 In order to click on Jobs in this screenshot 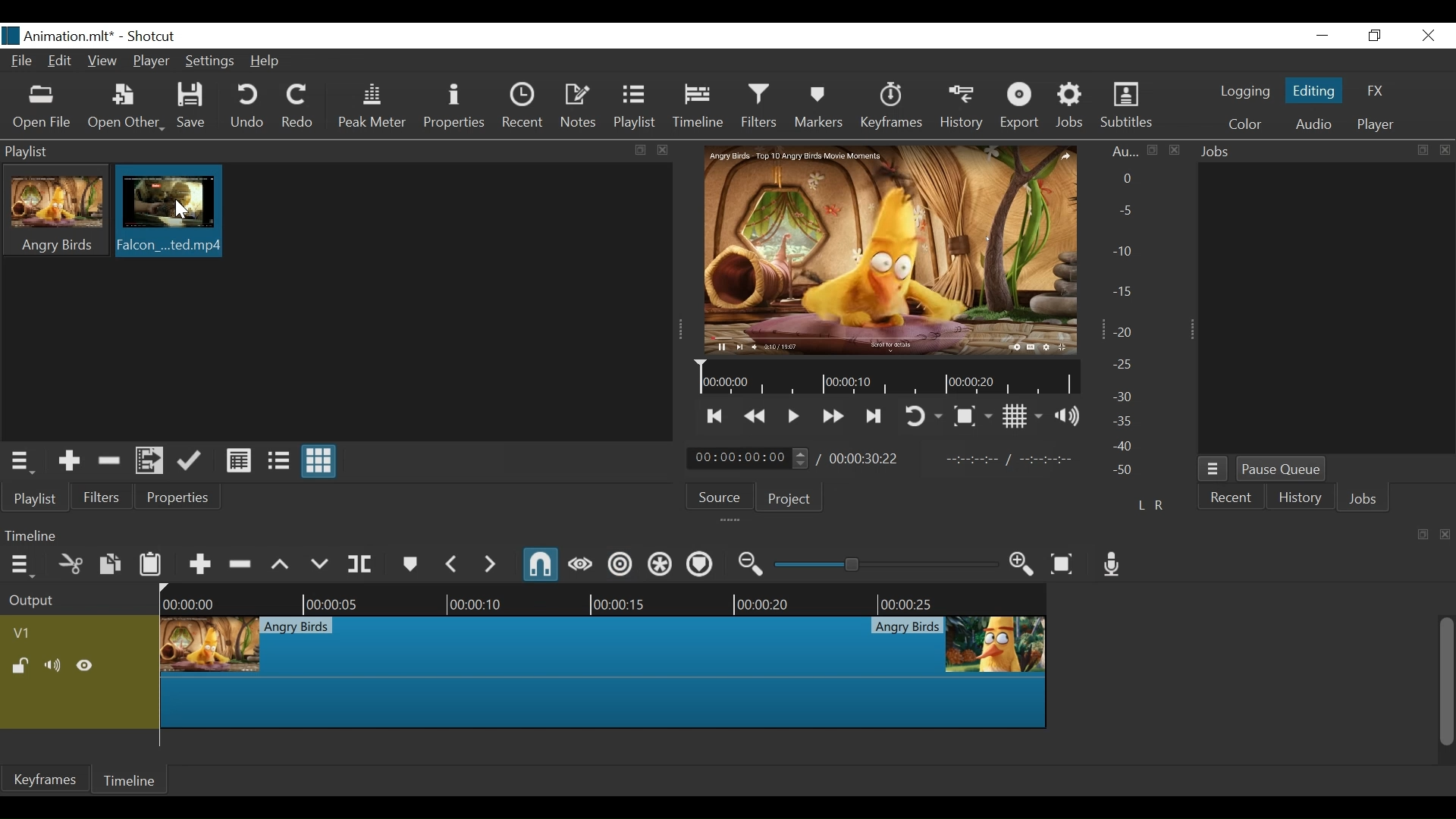, I will do `click(1070, 108)`.